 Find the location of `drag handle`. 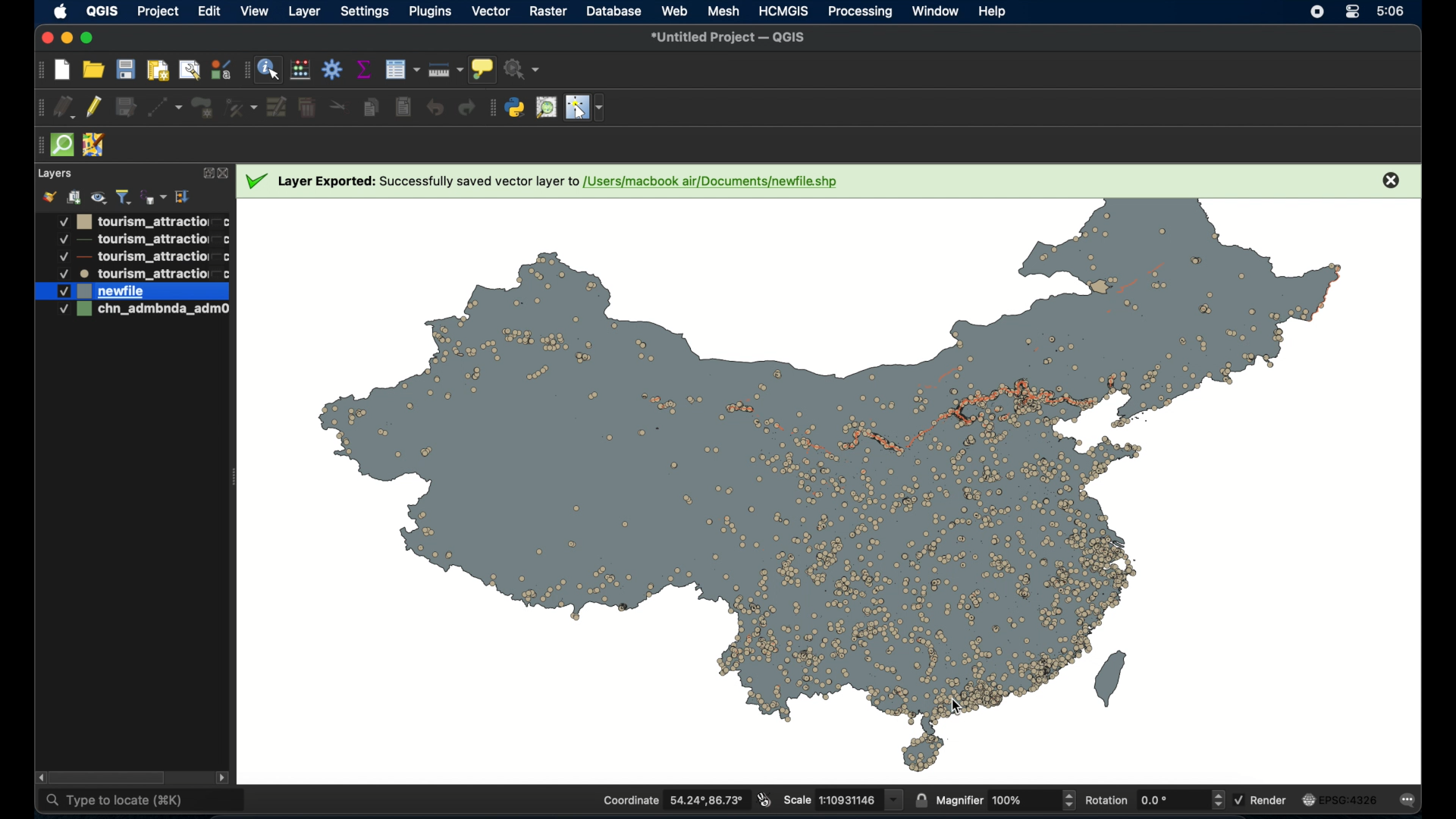

drag handle is located at coordinates (38, 108).